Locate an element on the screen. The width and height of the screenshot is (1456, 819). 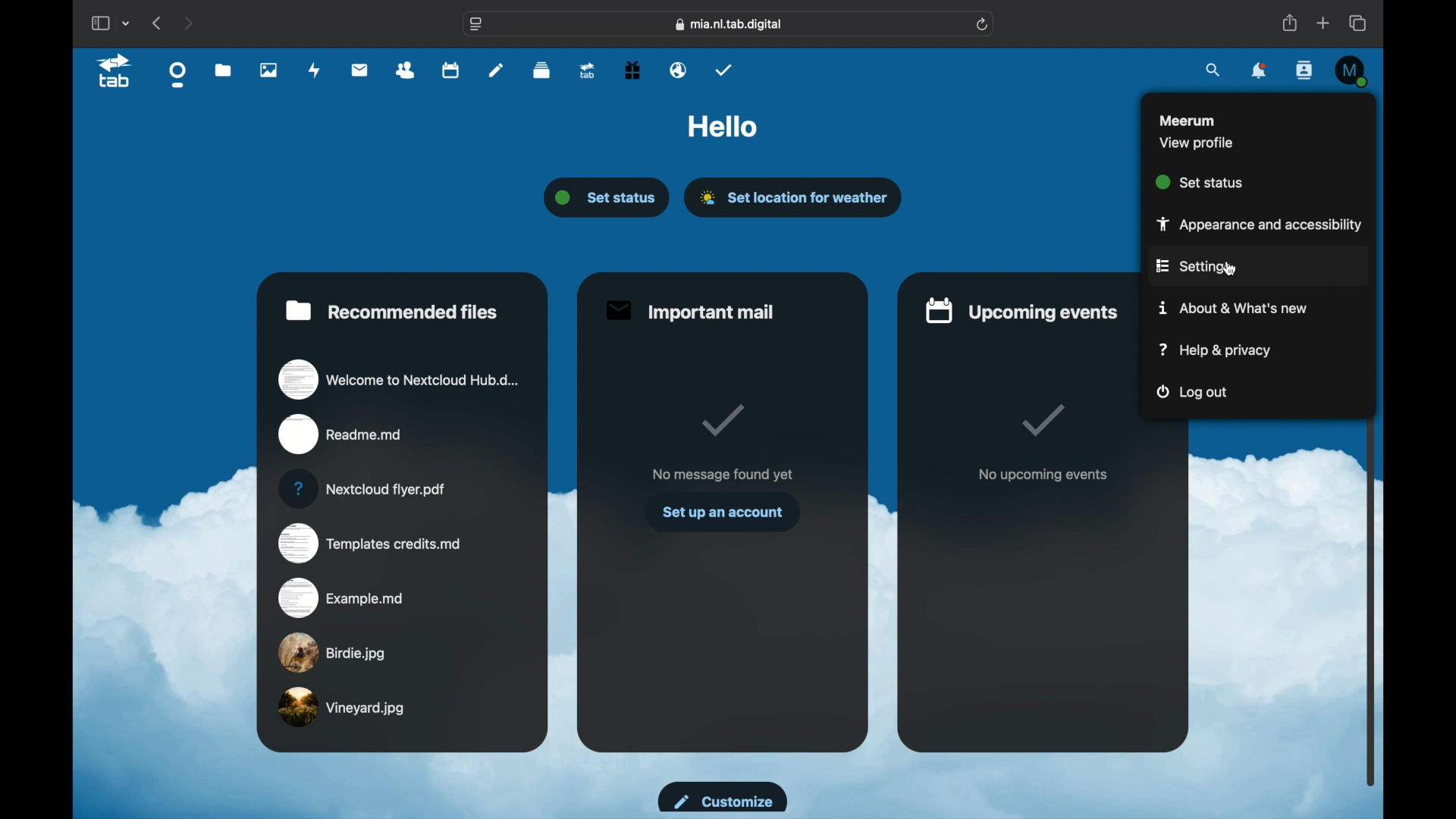
show sidebar is located at coordinates (99, 24).